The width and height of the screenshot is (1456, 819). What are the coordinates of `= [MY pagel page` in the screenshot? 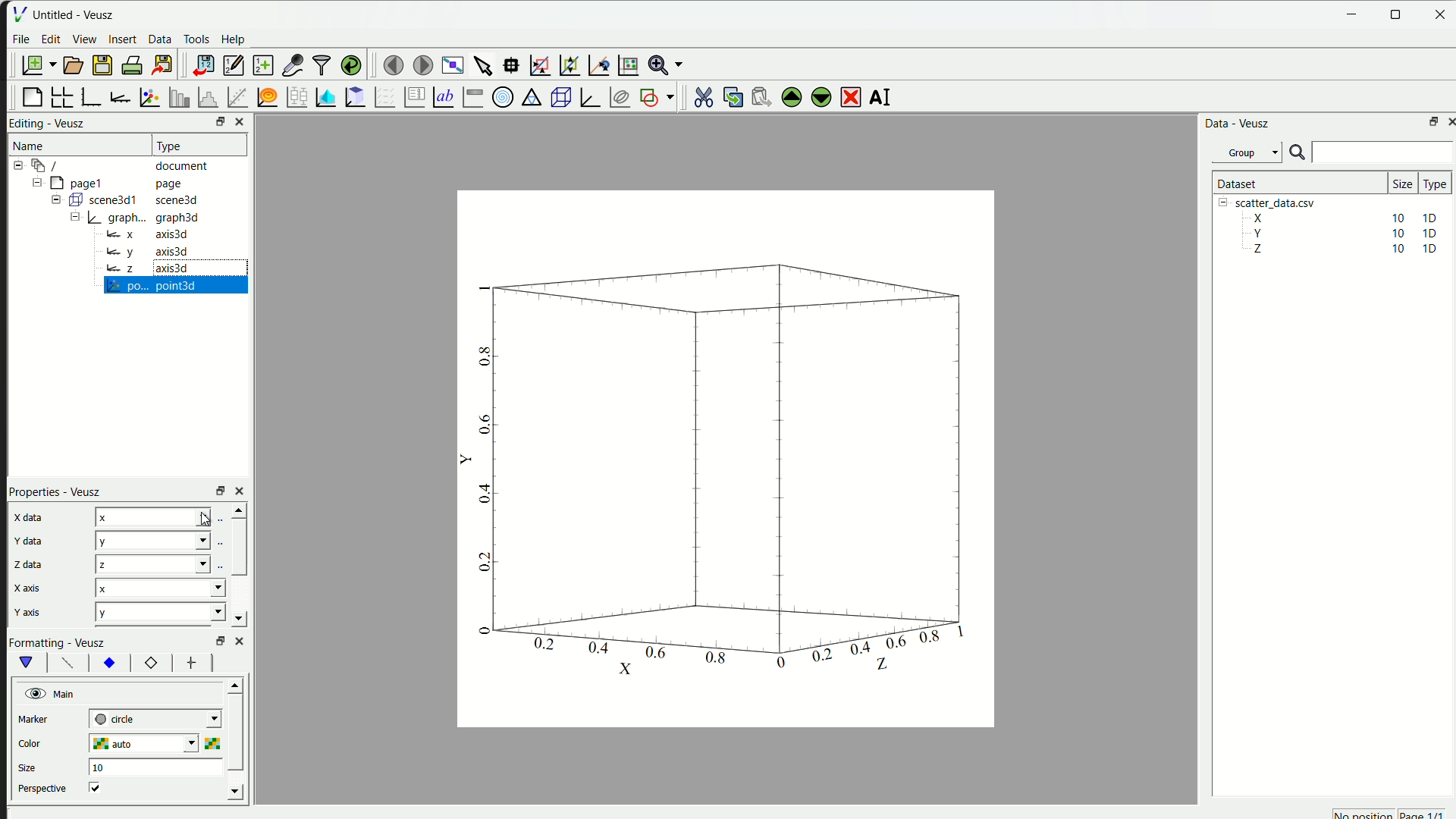 It's located at (117, 181).